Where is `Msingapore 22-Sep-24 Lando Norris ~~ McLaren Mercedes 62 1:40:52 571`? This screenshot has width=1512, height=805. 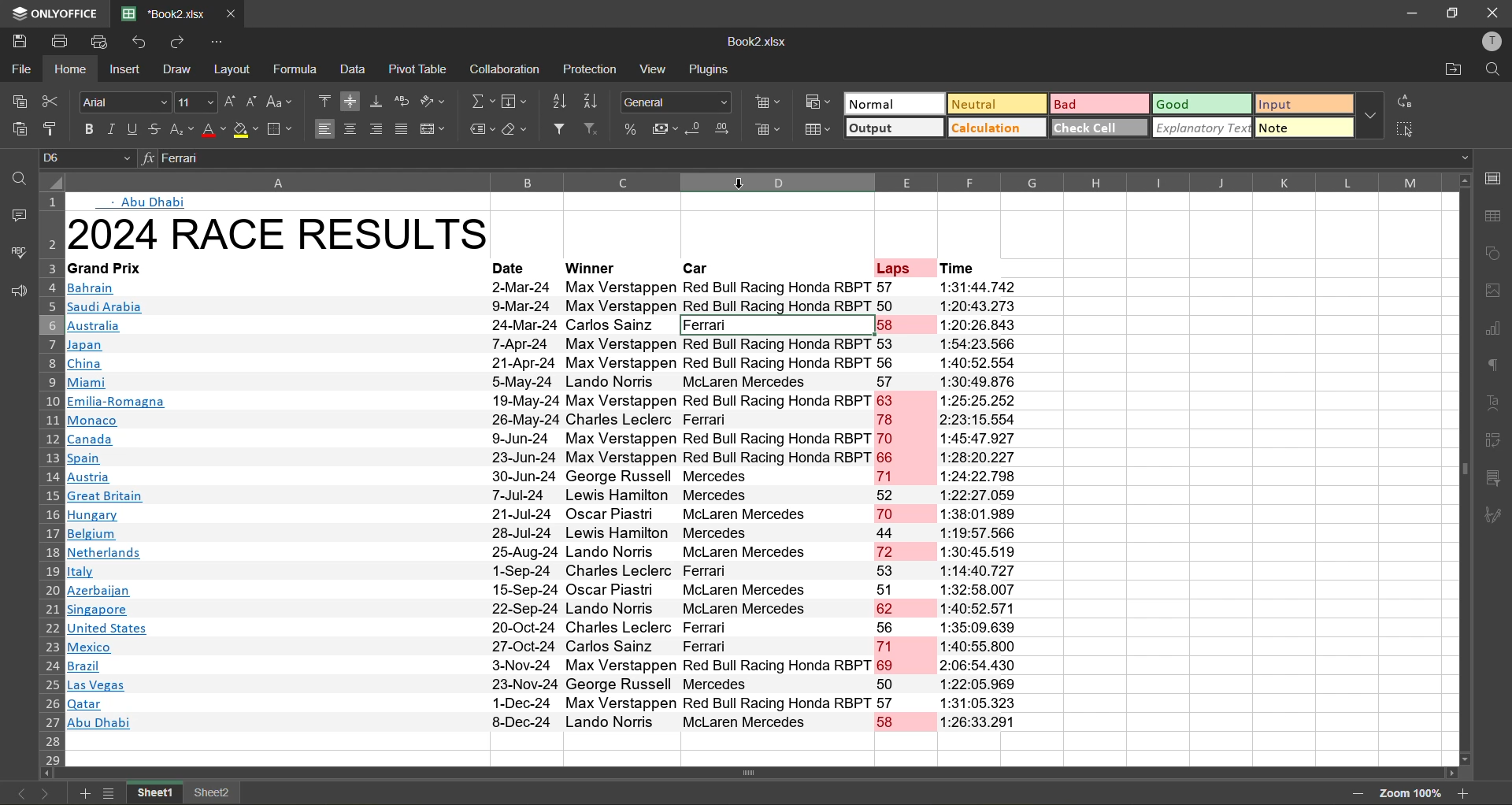
Msingapore 22-Sep-24 Lando Norris ~~ McLaren Mercedes 62 1:40:52 571 is located at coordinates (550, 608).